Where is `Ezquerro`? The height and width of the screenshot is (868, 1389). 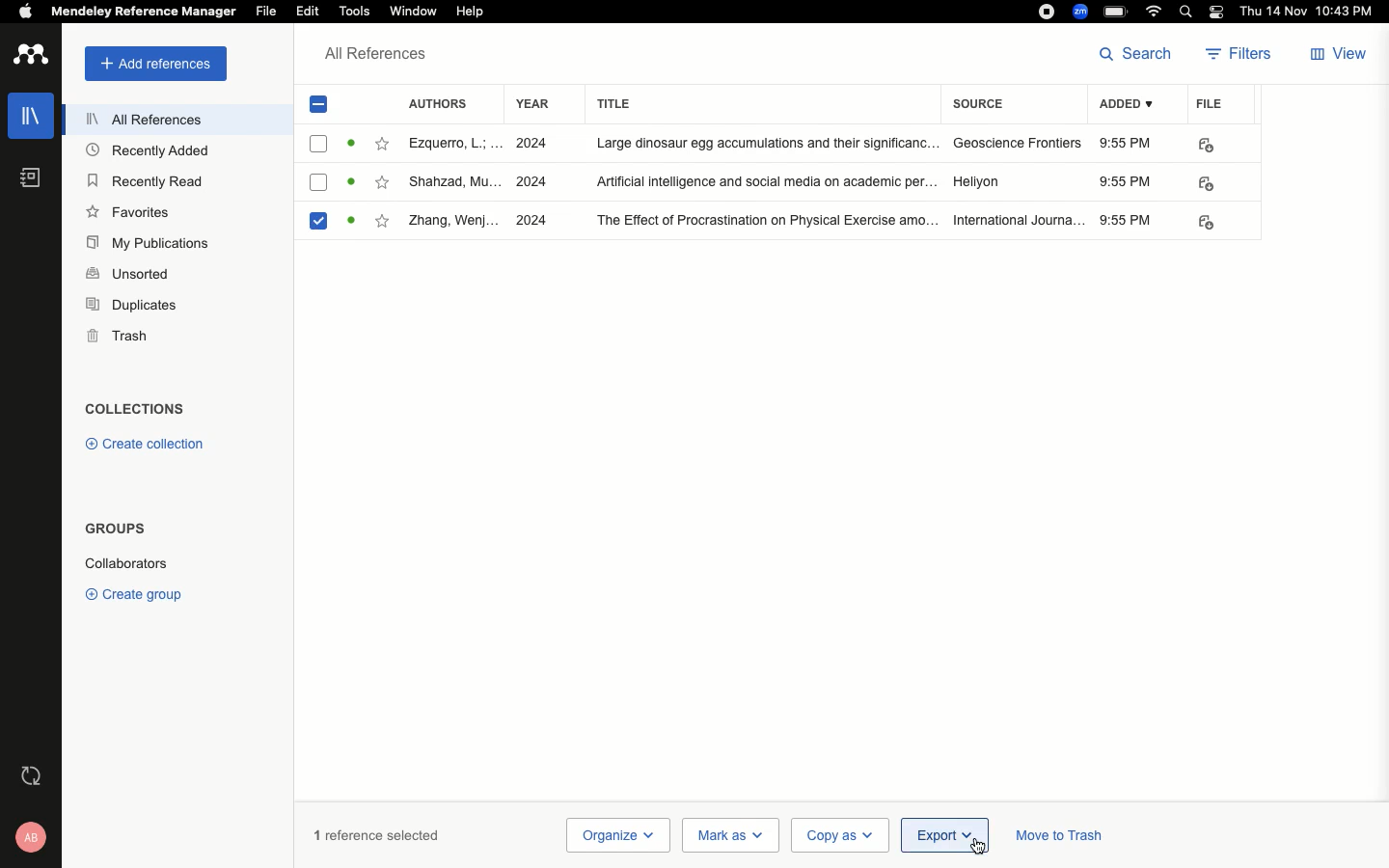
Ezquerro is located at coordinates (453, 143).